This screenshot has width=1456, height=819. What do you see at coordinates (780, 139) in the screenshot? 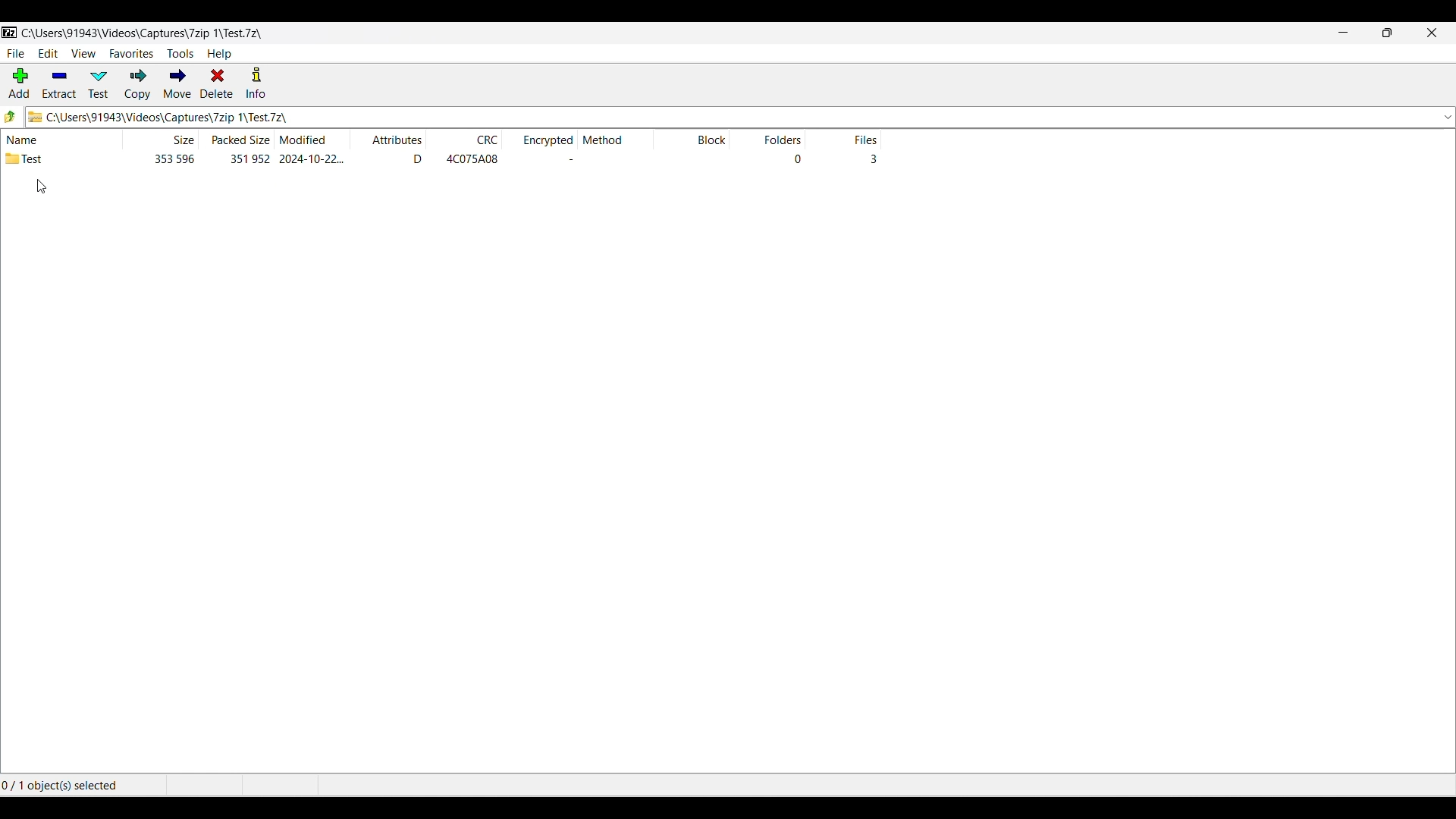
I see `Folders column` at bounding box center [780, 139].